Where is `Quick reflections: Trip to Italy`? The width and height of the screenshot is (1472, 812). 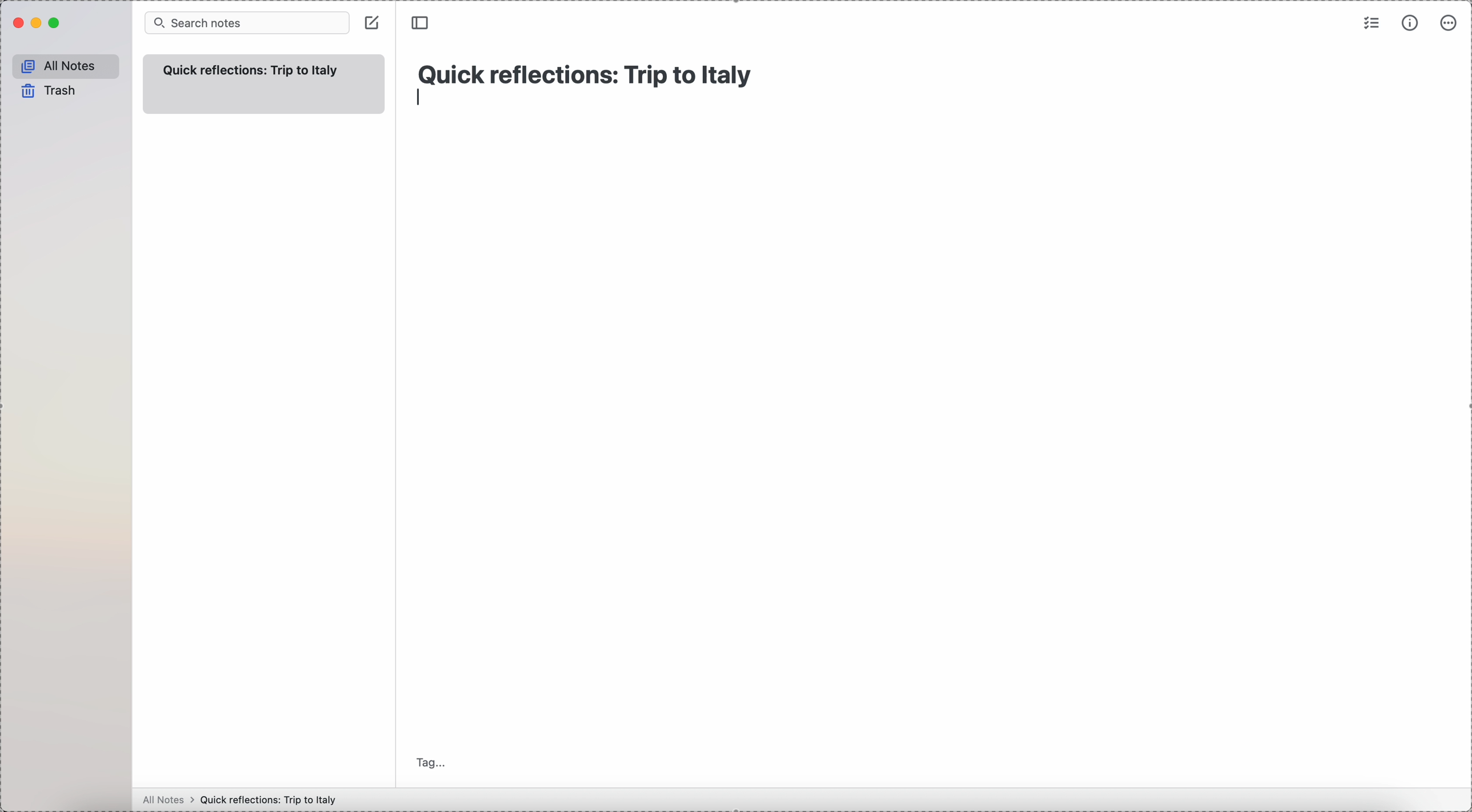
Quick reflections: Trip to Italy is located at coordinates (591, 75).